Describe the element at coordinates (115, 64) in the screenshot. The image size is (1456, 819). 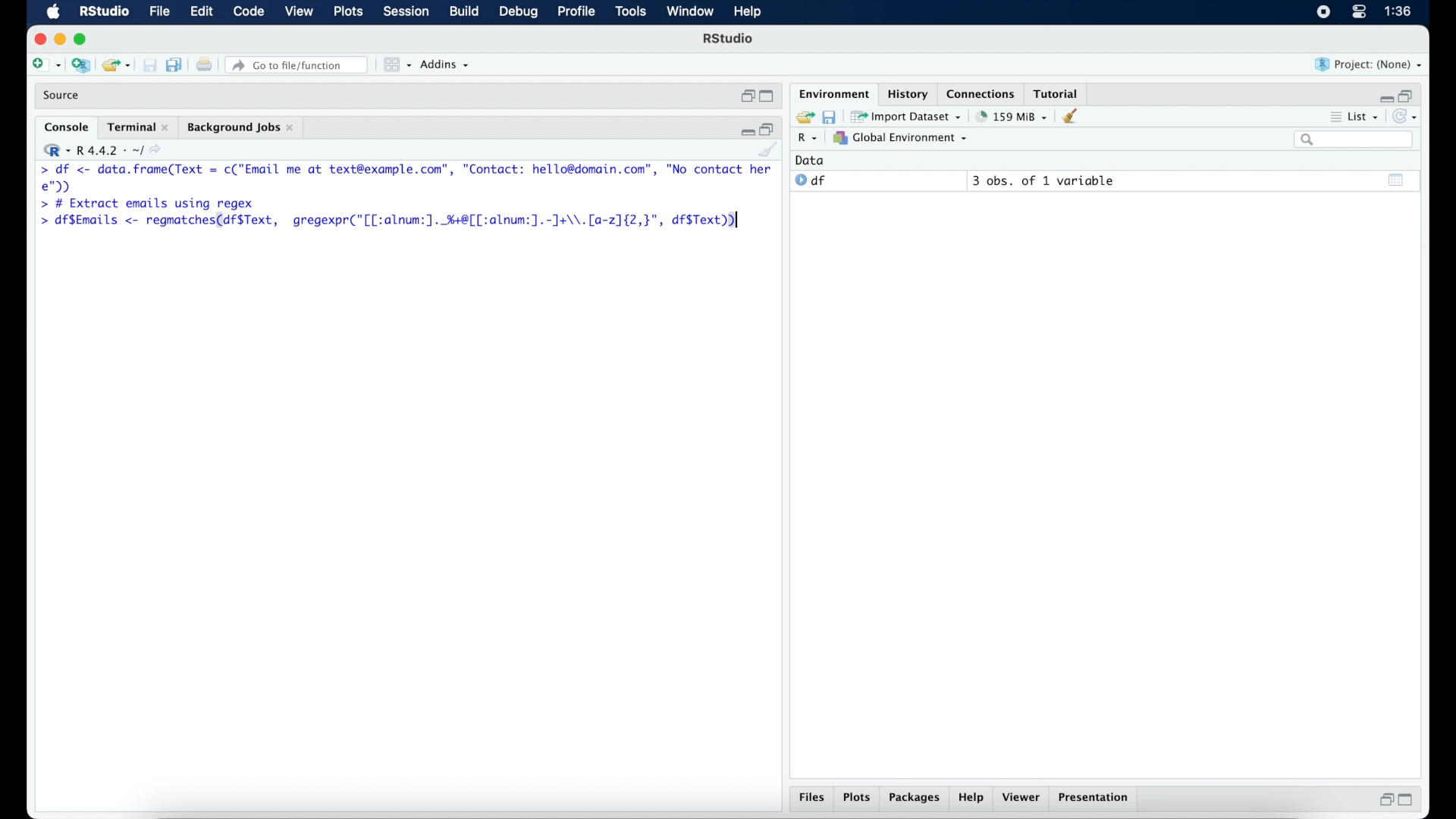
I see `open existing project` at that location.